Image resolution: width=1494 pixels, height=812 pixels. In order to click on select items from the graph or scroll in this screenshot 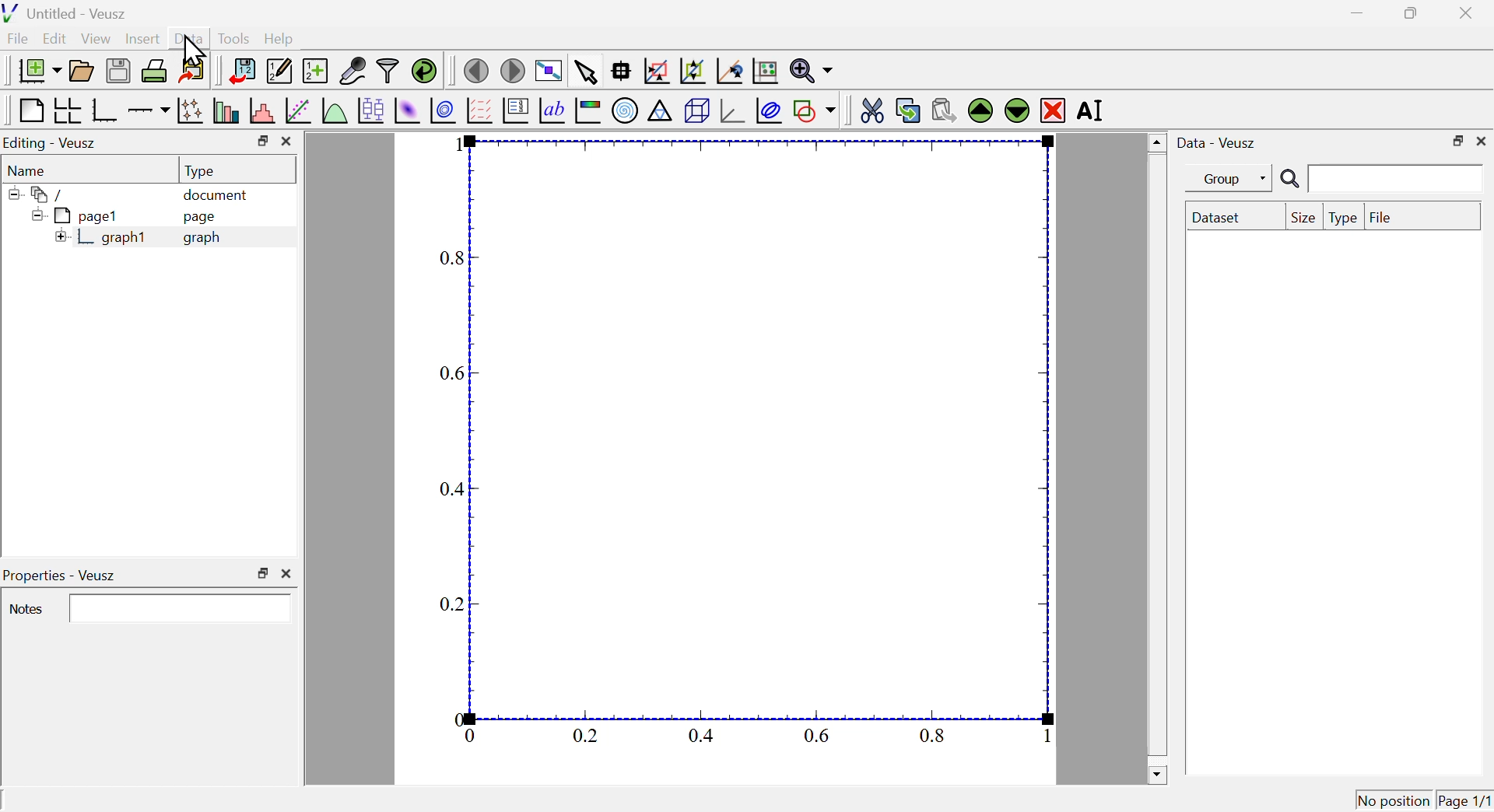, I will do `click(585, 71)`.